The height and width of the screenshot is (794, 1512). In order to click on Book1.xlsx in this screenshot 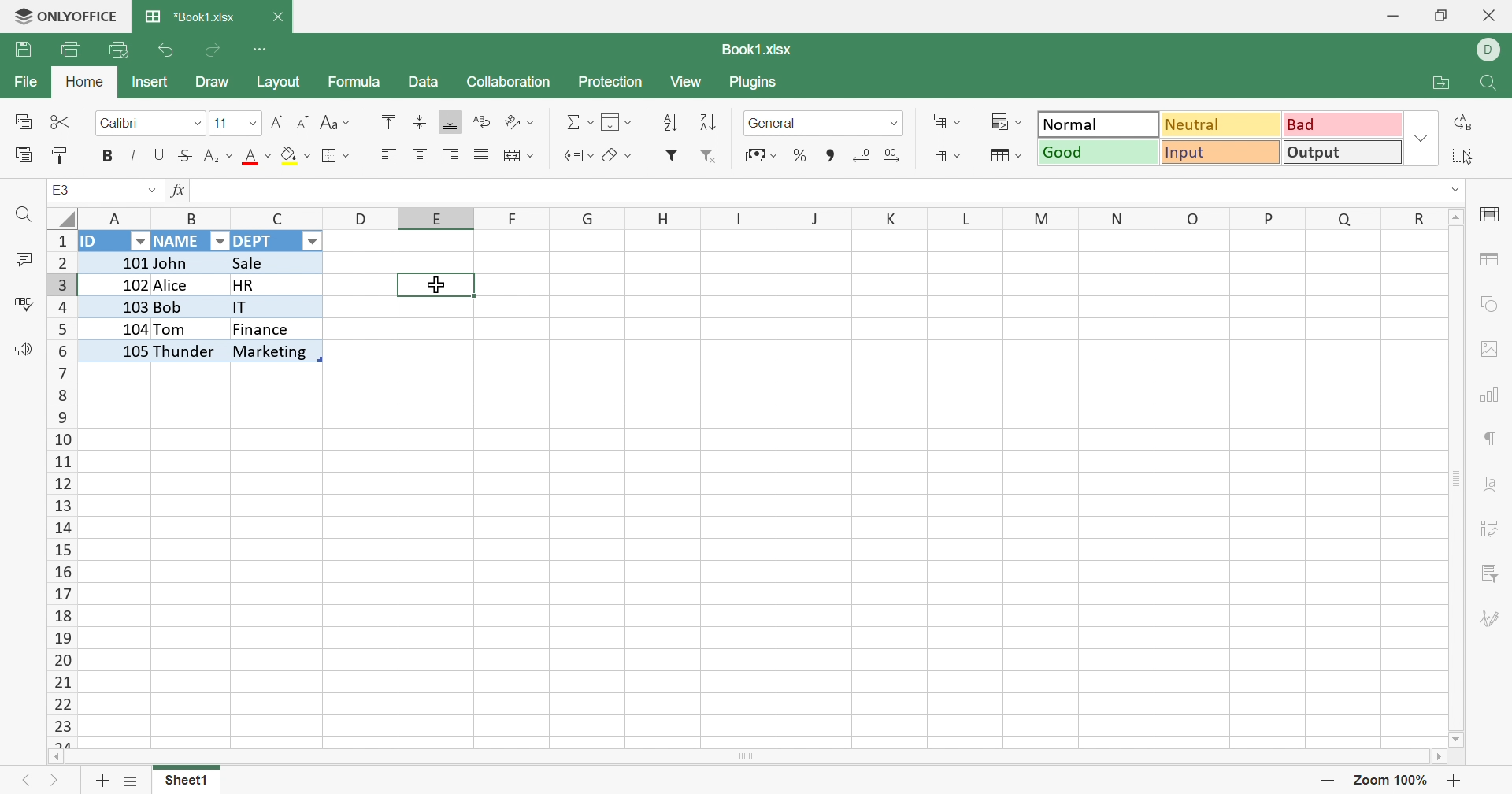, I will do `click(764, 51)`.